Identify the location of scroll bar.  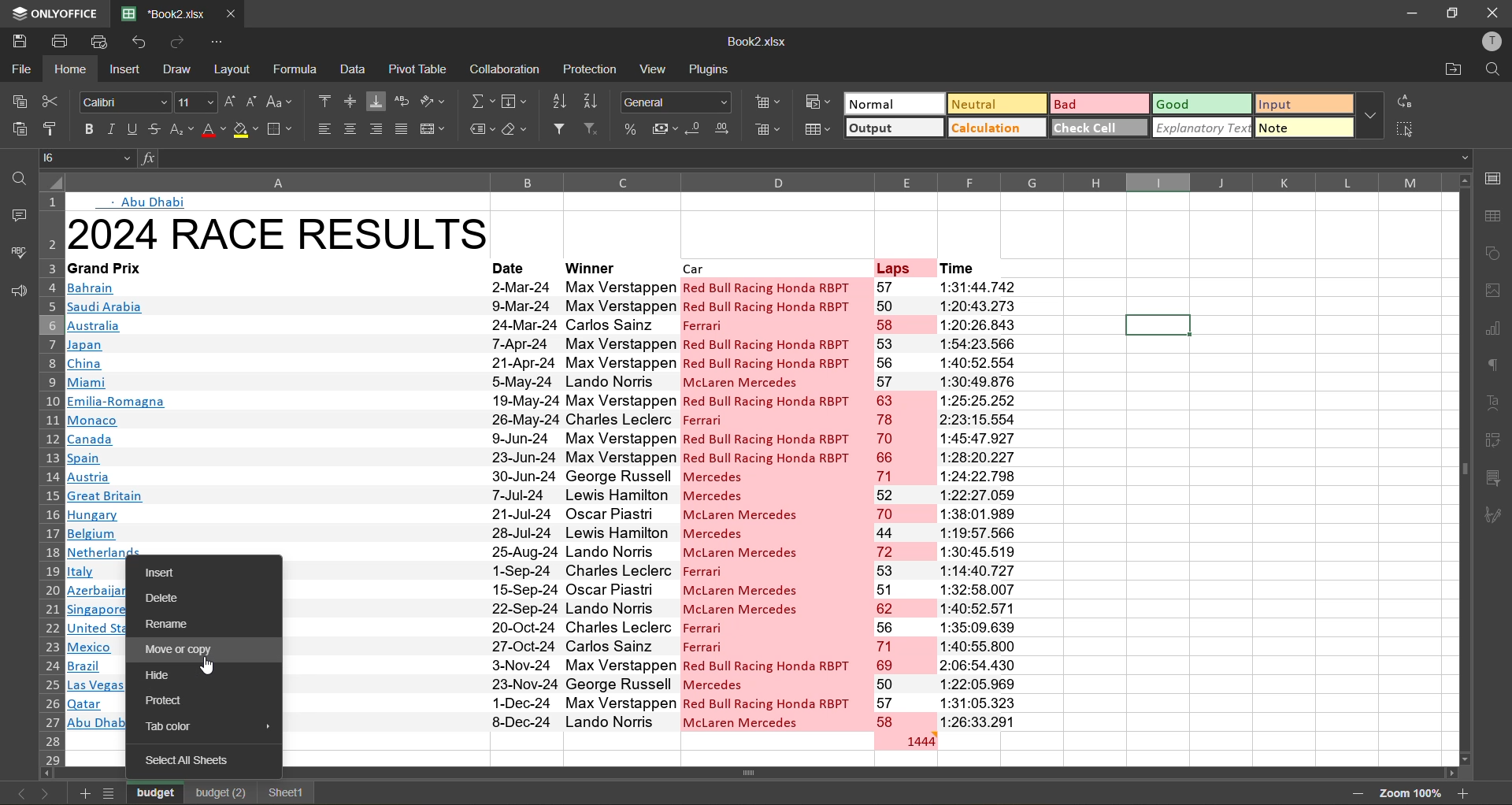
(1464, 395).